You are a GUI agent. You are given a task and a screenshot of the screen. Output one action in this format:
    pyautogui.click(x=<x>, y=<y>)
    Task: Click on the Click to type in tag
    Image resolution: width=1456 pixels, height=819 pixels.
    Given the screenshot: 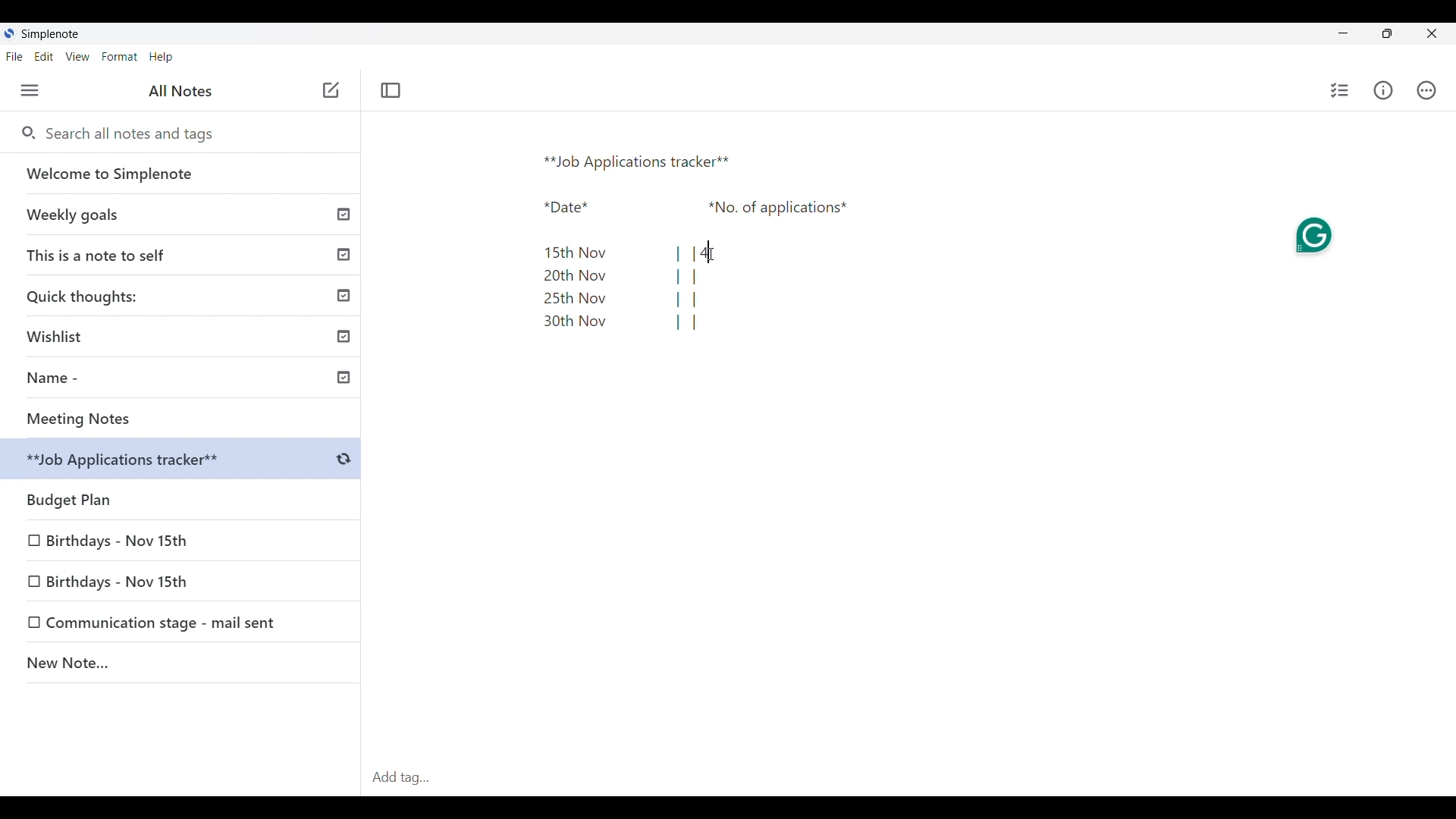 What is the action you would take?
    pyautogui.click(x=908, y=778)
    